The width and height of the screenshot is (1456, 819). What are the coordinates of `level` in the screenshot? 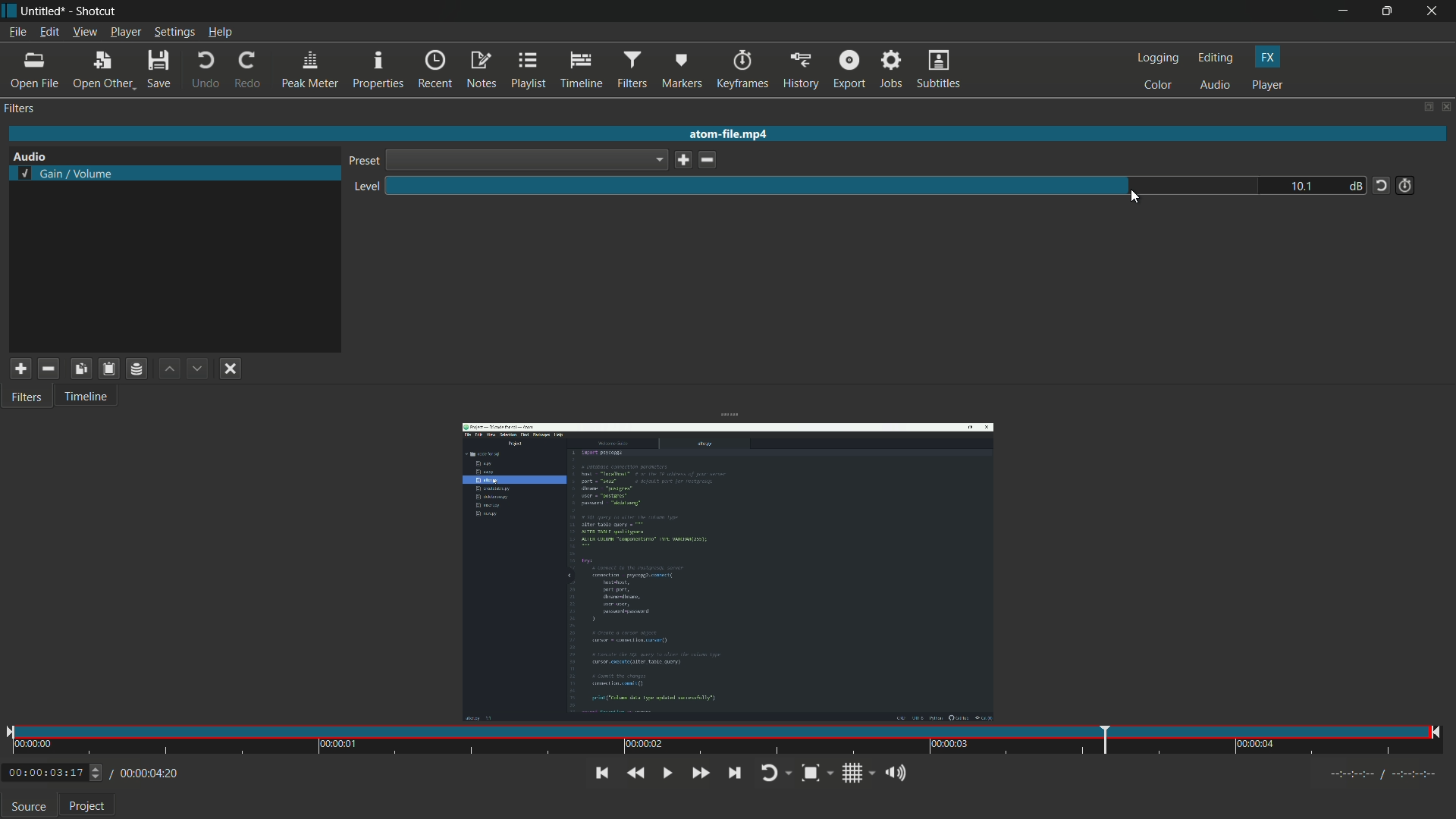 It's located at (366, 187).